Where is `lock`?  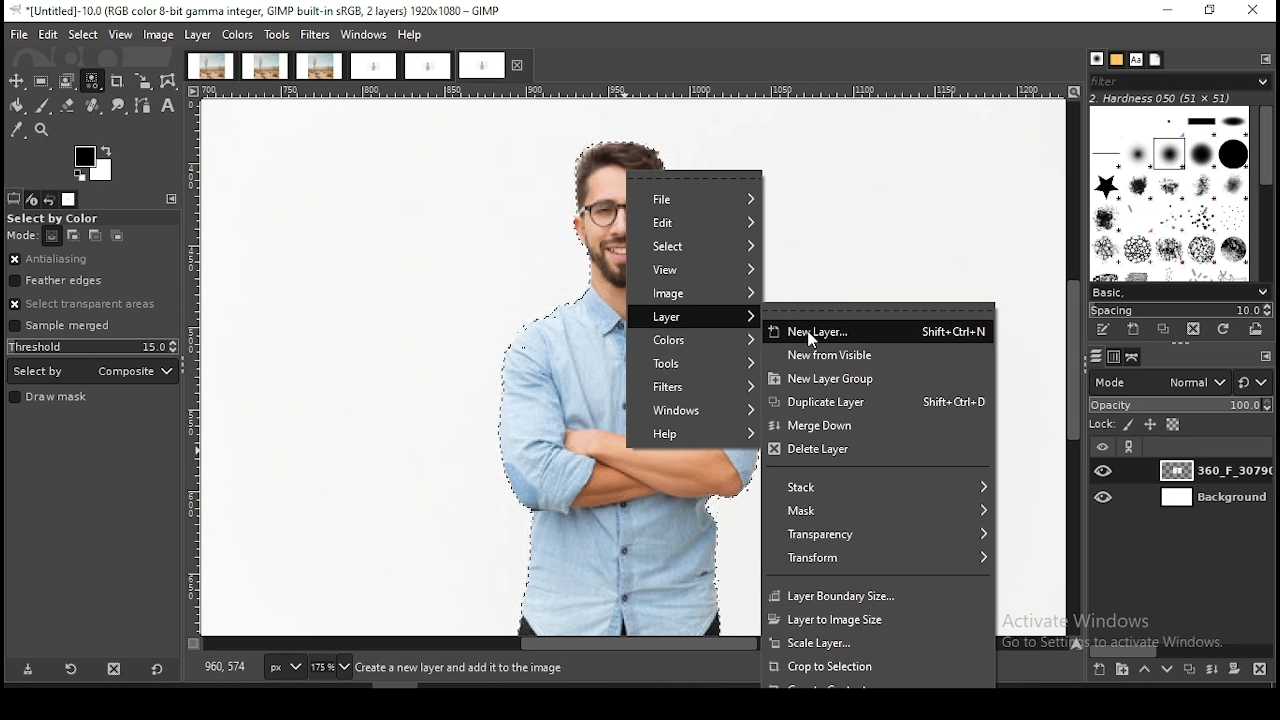 lock is located at coordinates (1100, 425).